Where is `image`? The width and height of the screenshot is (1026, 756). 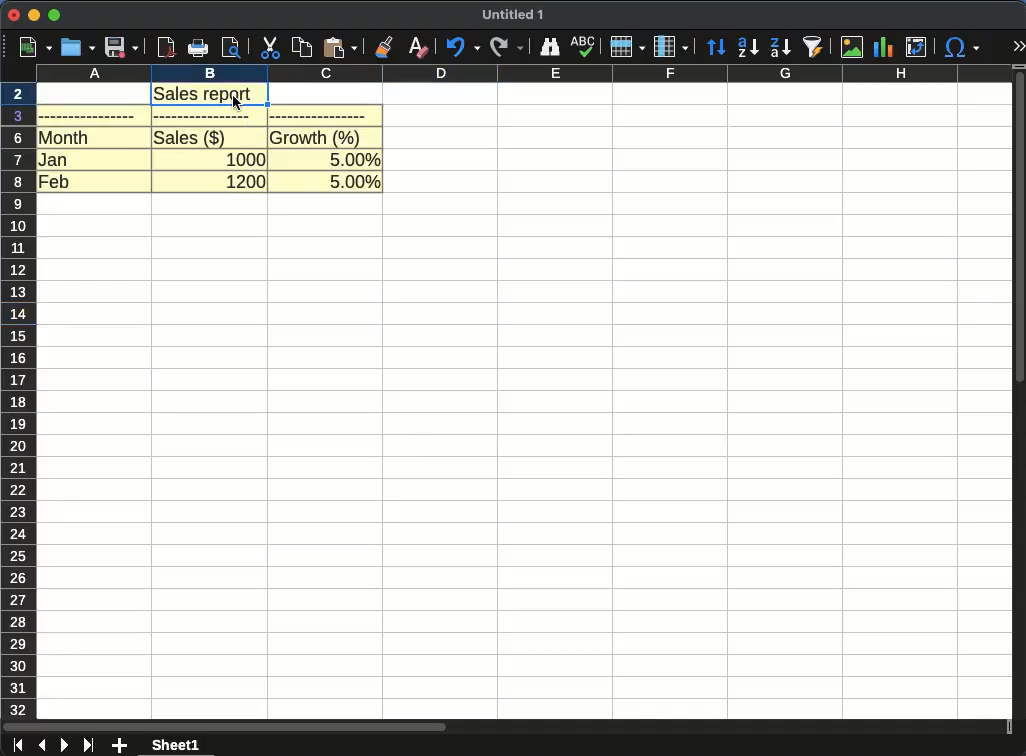
image is located at coordinates (854, 47).